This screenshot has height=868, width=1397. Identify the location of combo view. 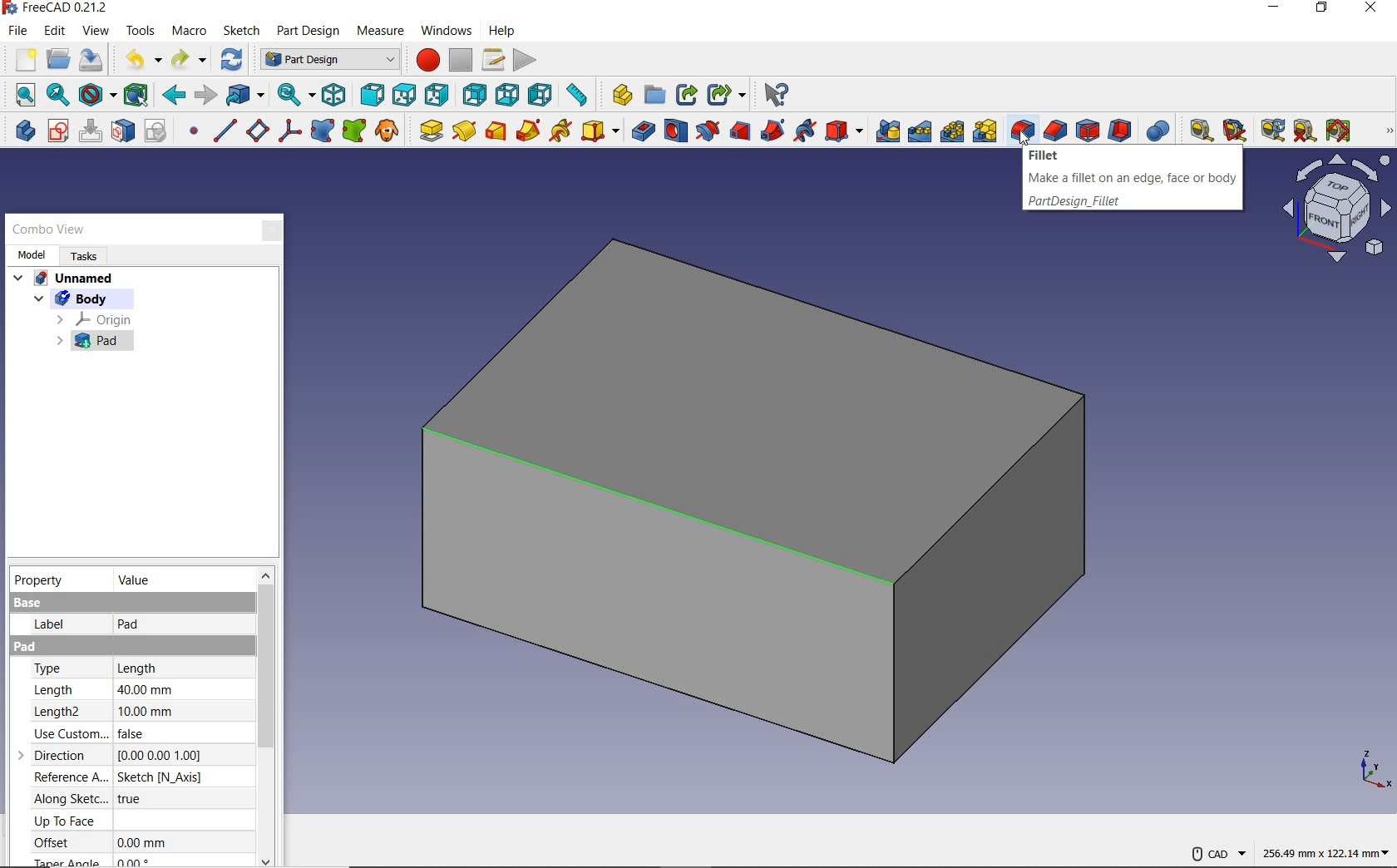
(48, 229).